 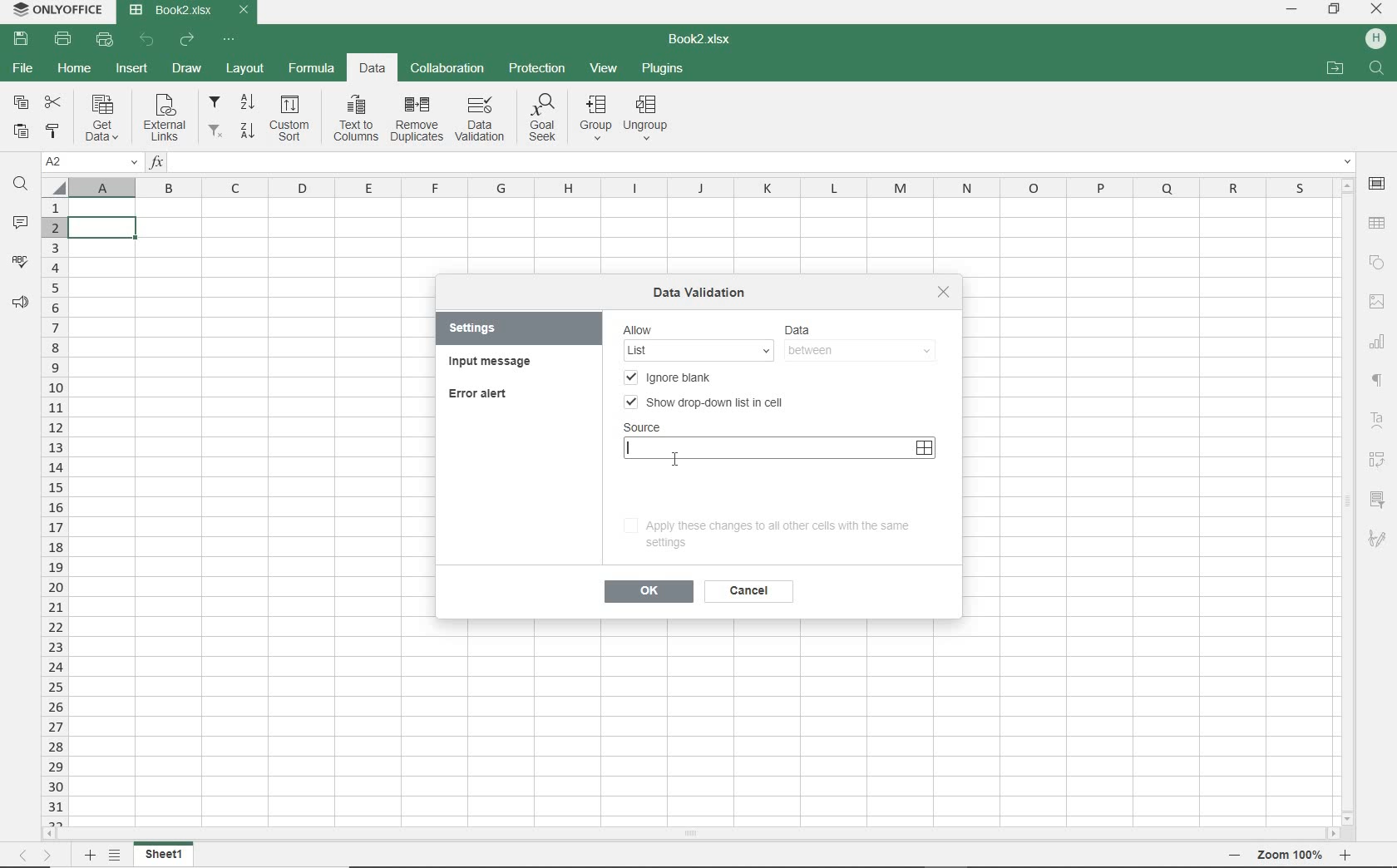 I want to click on COMMENTS, so click(x=18, y=224).